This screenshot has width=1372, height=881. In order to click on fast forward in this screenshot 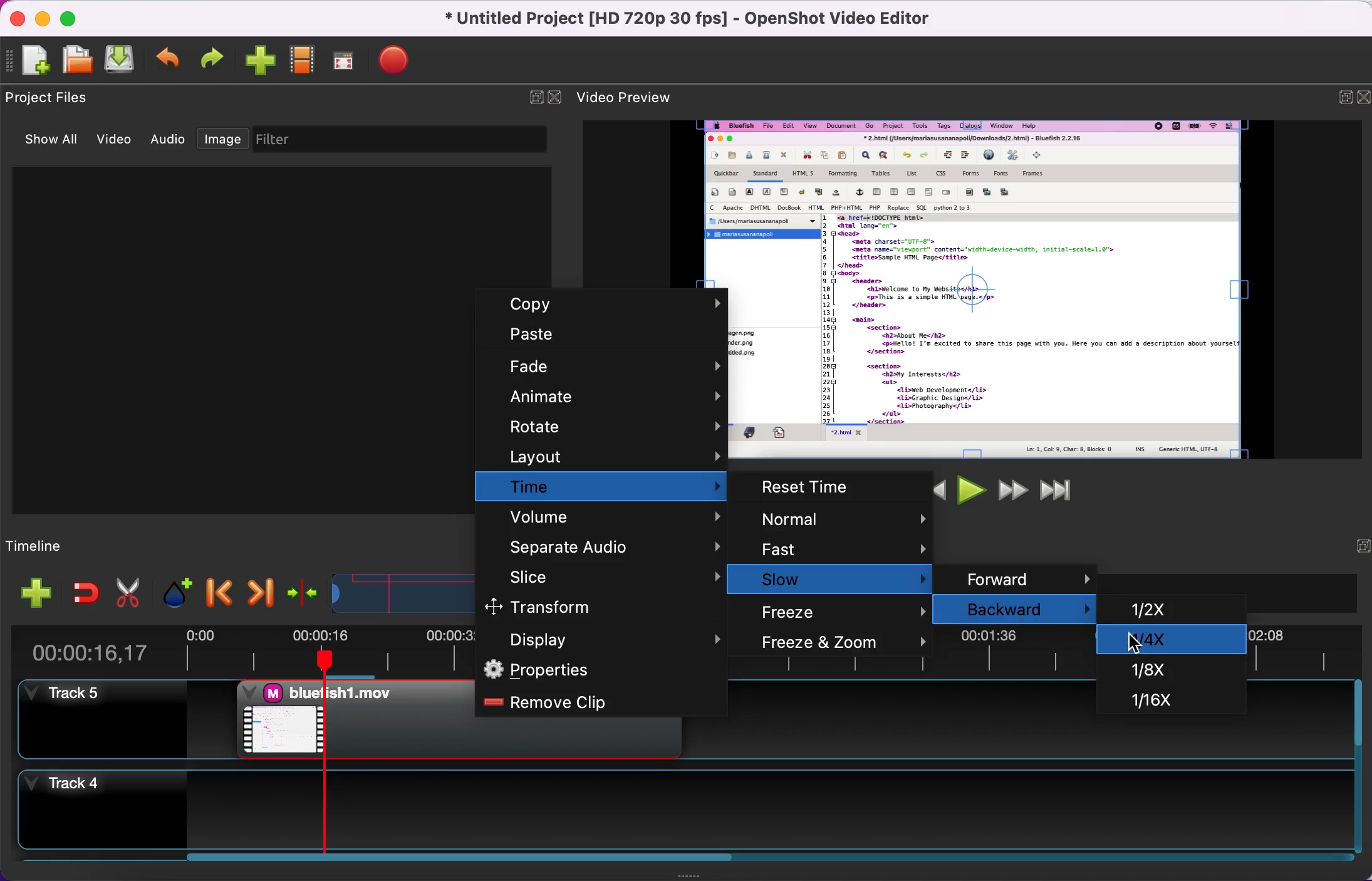, I will do `click(1009, 489)`.